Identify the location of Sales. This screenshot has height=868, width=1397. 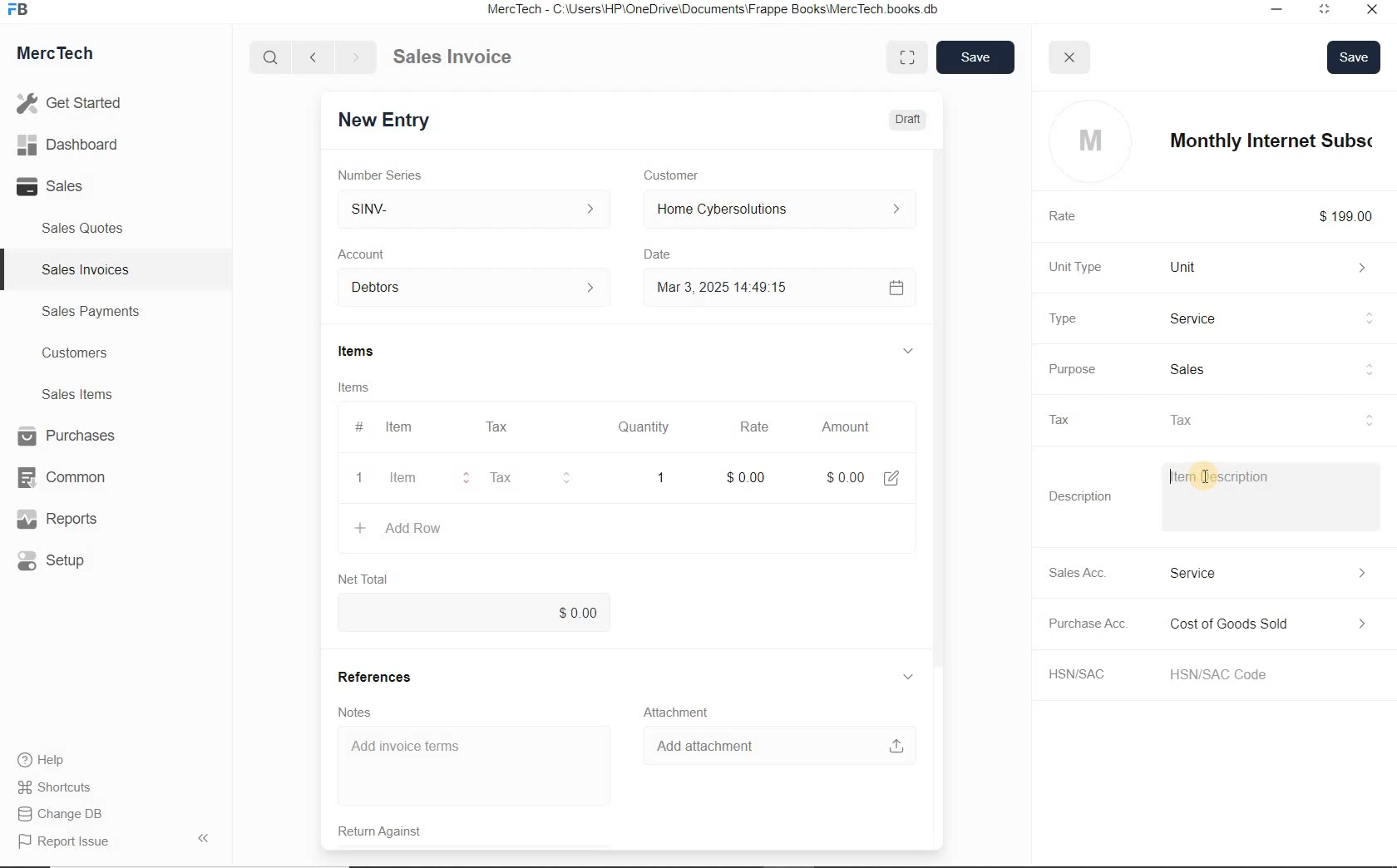
(75, 186).